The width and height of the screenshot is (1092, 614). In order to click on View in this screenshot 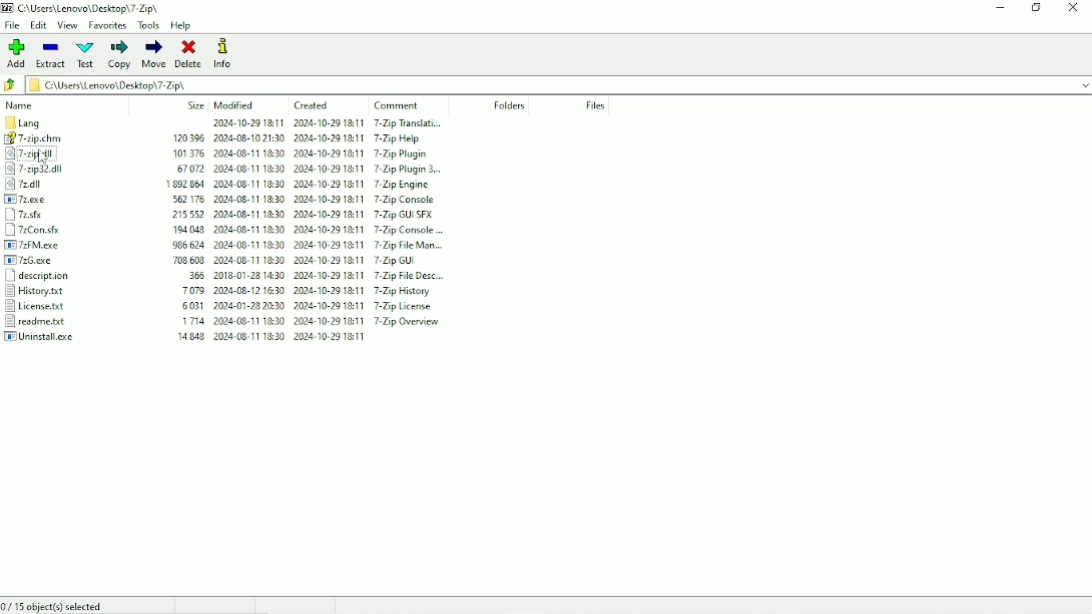, I will do `click(67, 25)`.